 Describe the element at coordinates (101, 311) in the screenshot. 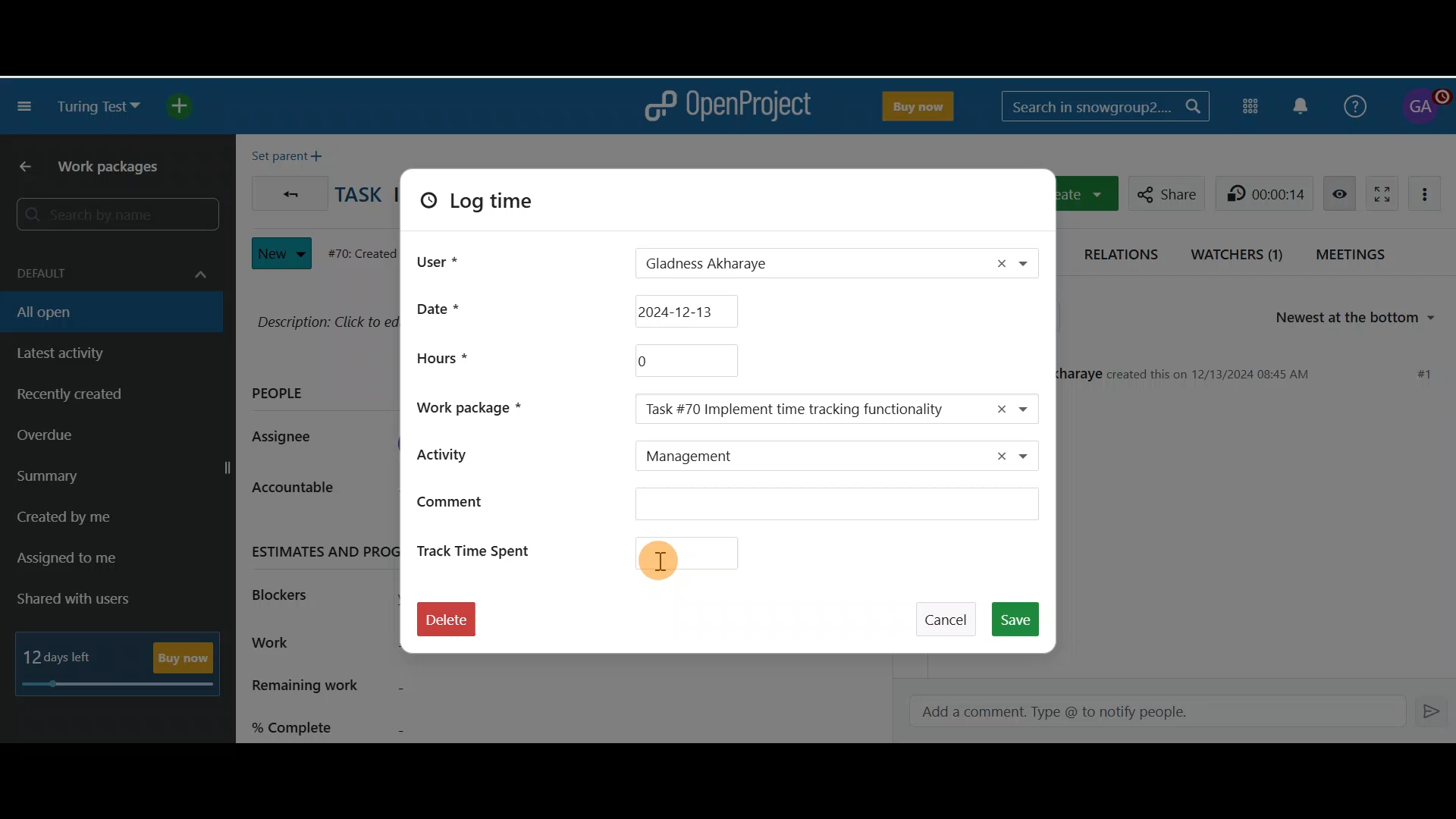

I see `All open` at that location.